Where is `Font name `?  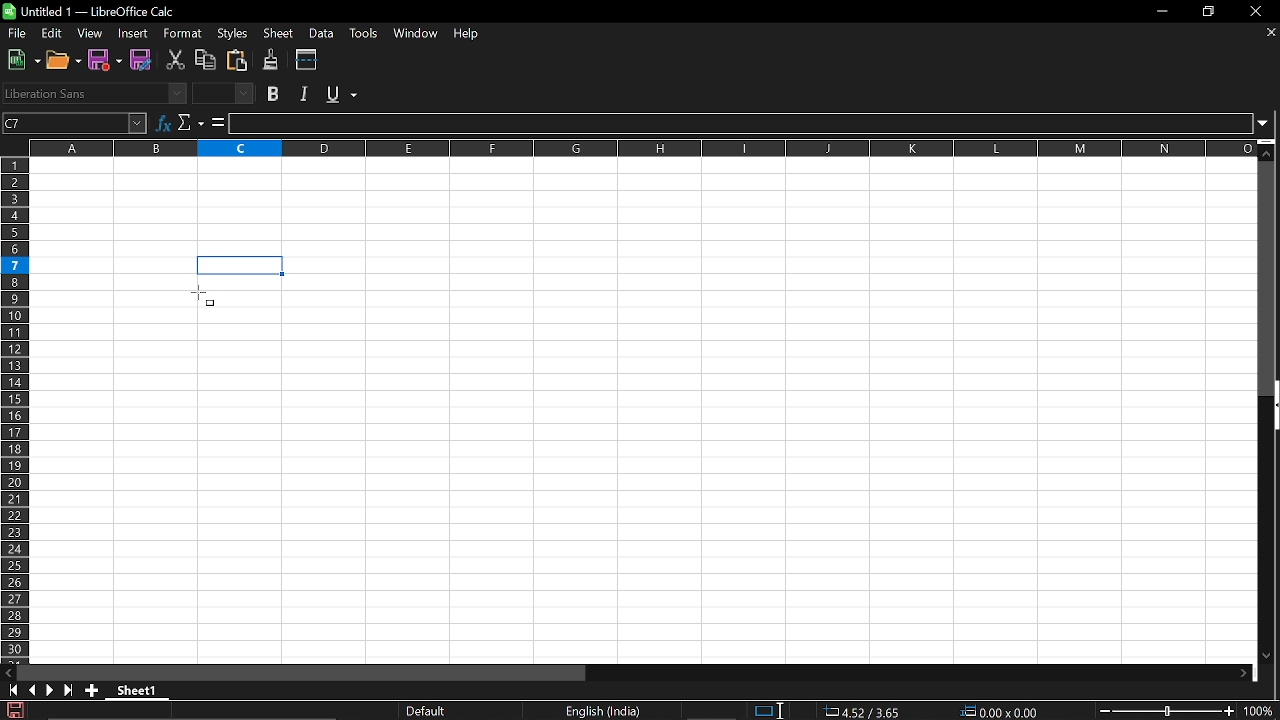 Font name  is located at coordinates (94, 93).